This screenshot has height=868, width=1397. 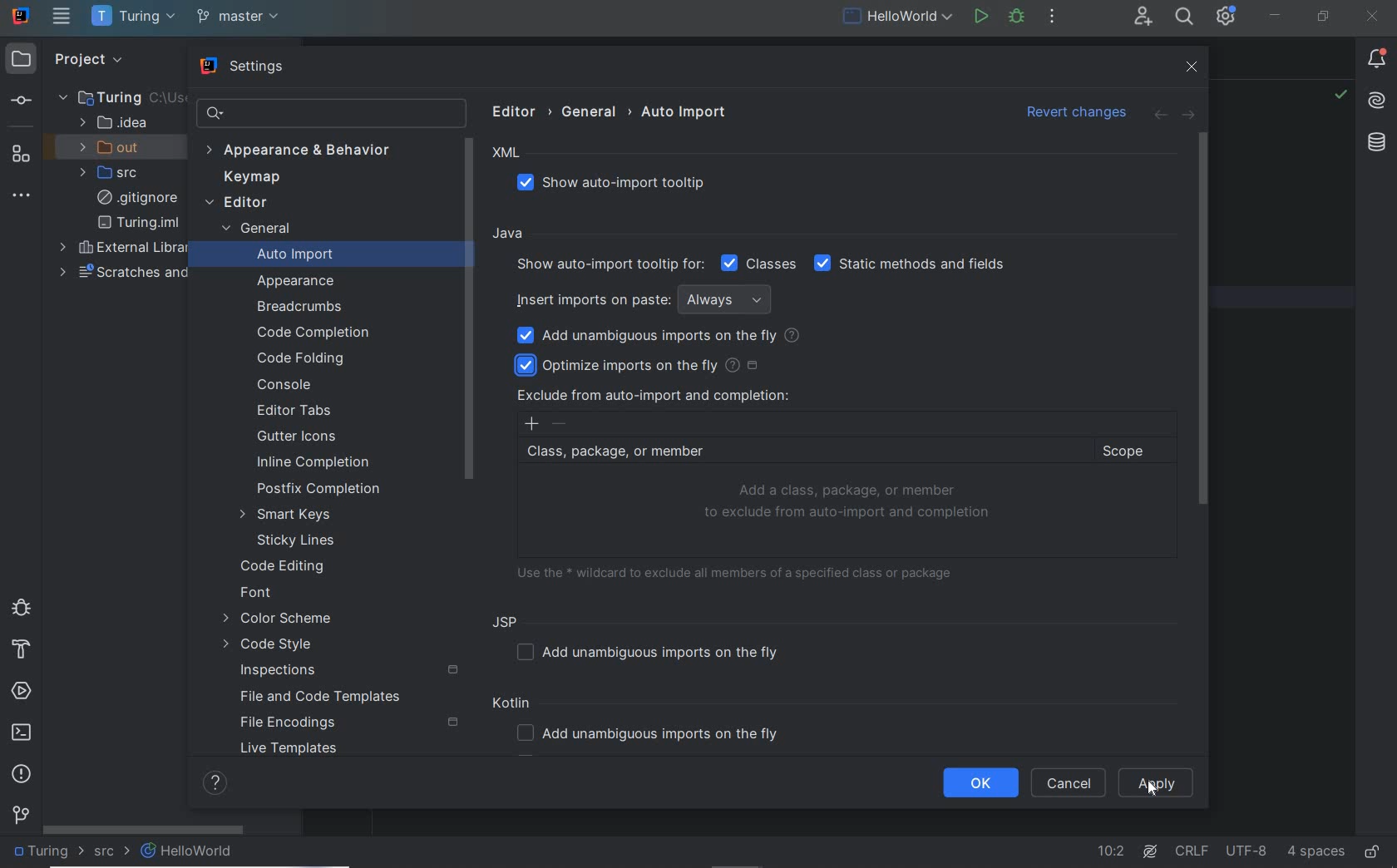 I want to click on STATIC MEATHODS AND FIELDS, so click(x=911, y=264).